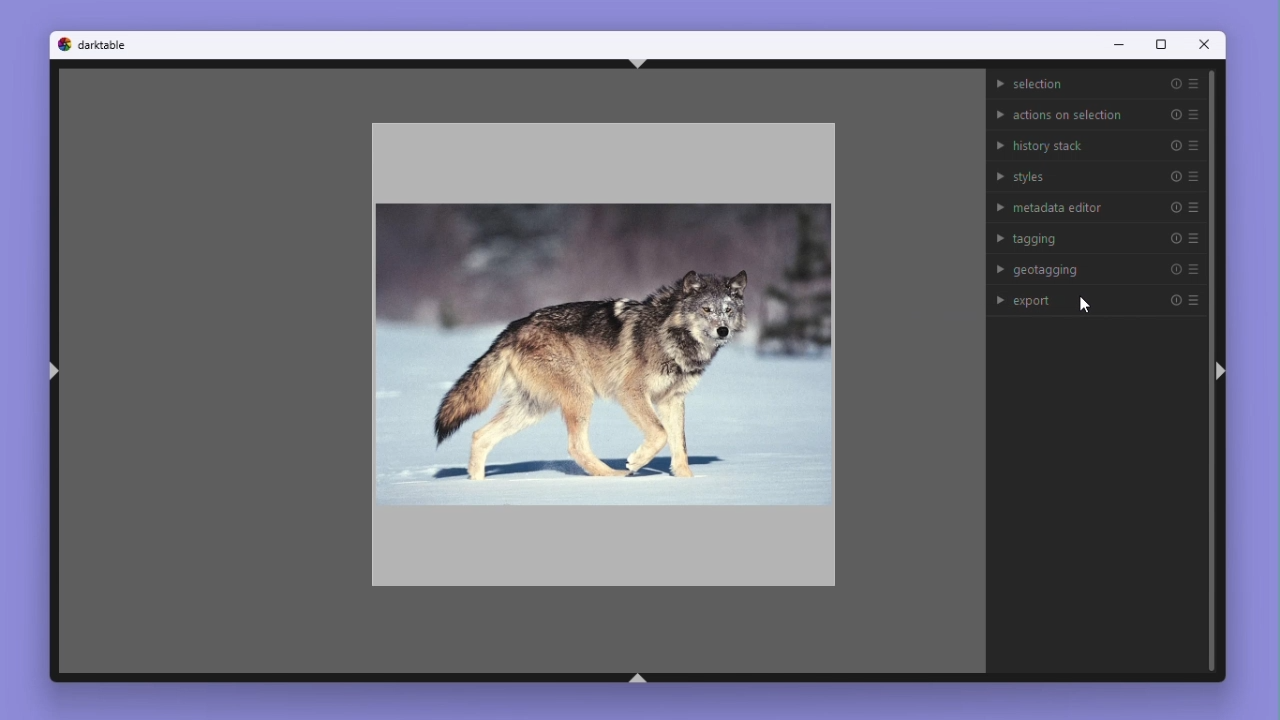 This screenshot has height=720, width=1280. Describe the element at coordinates (1223, 371) in the screenshot. I see `ctrl+shift+r` at that location.